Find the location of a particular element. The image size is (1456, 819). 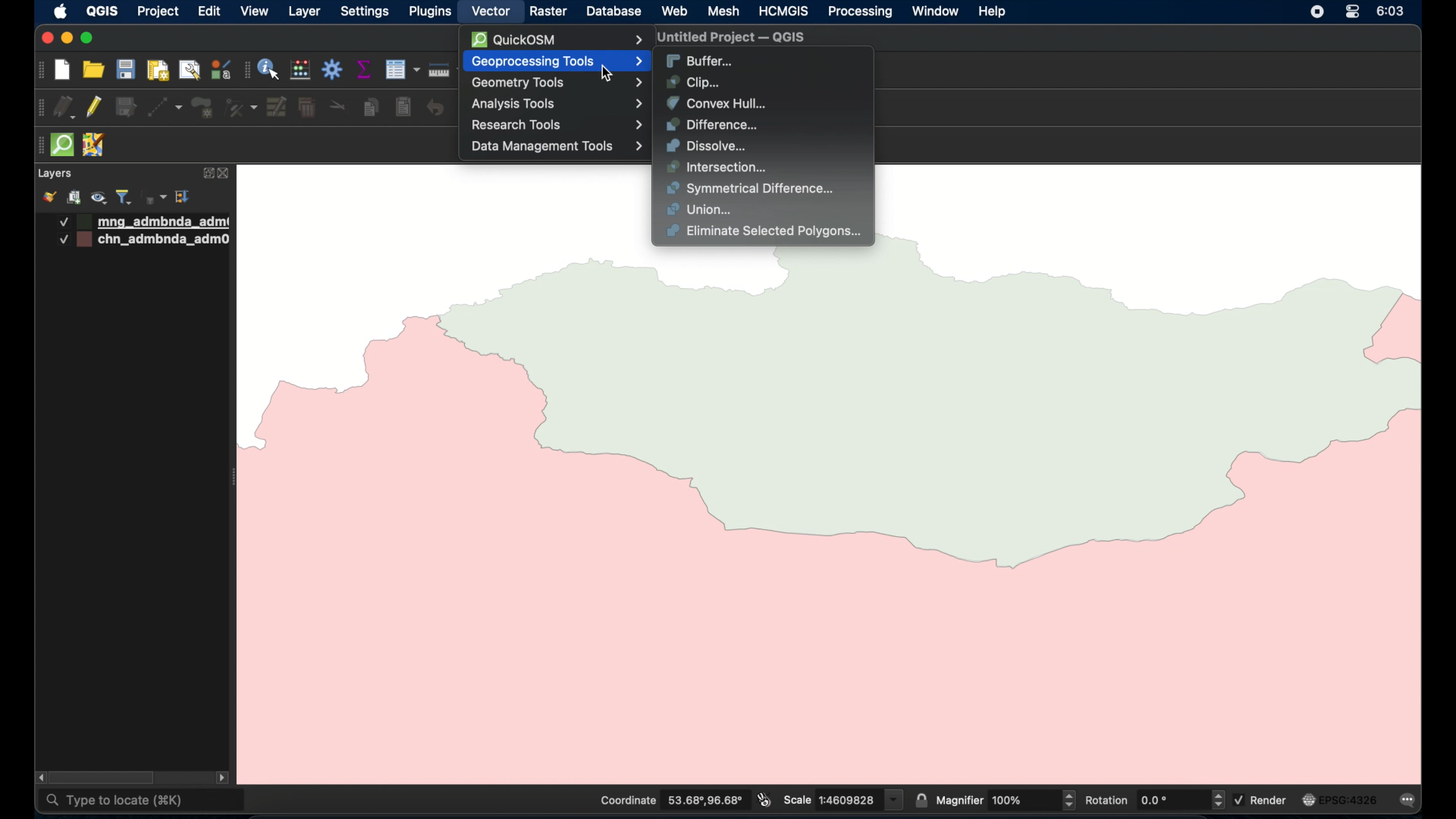

undo is located at coordinates (436, 108).